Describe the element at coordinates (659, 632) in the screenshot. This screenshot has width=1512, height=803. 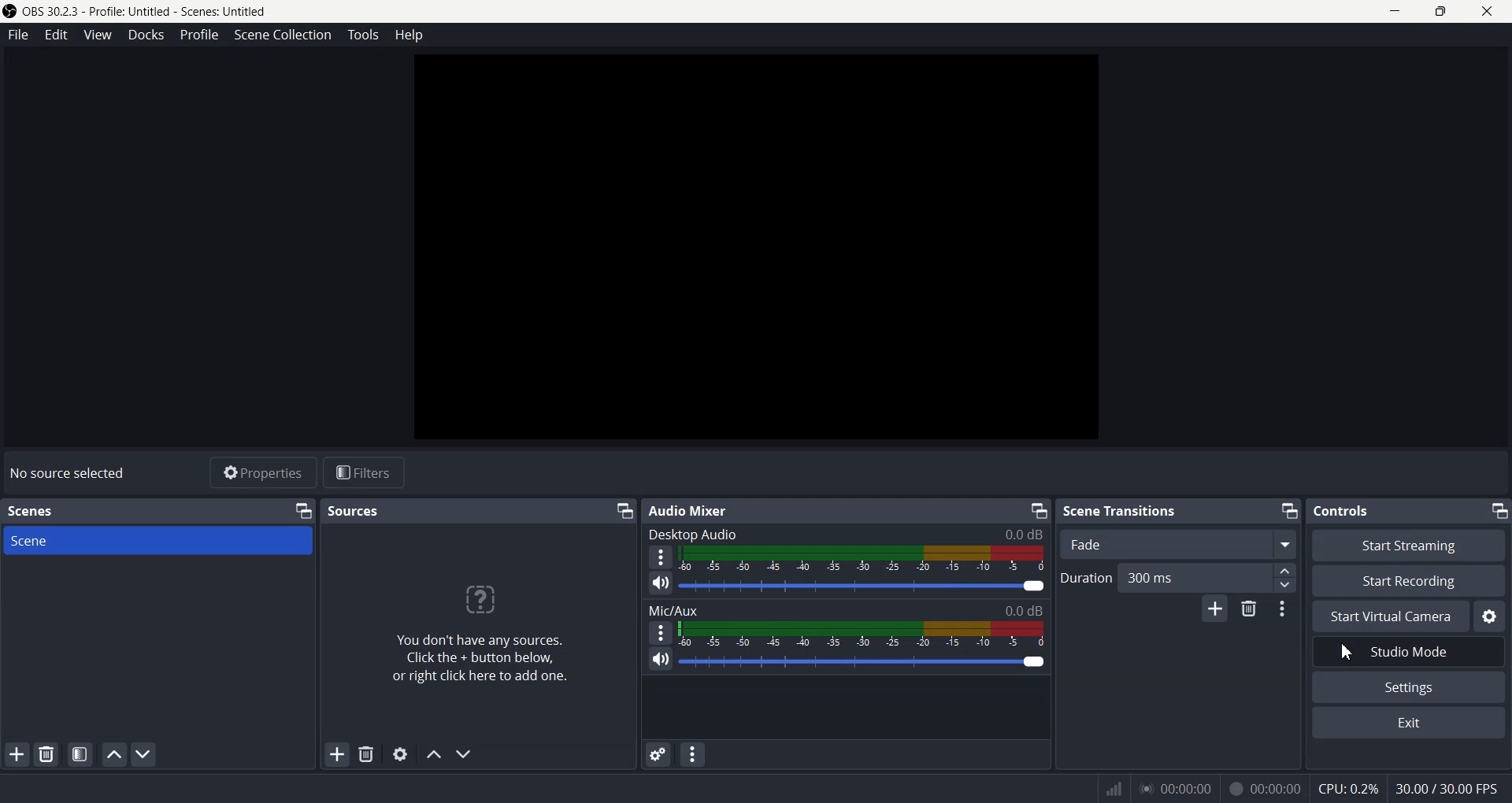
I see `More` at that location.